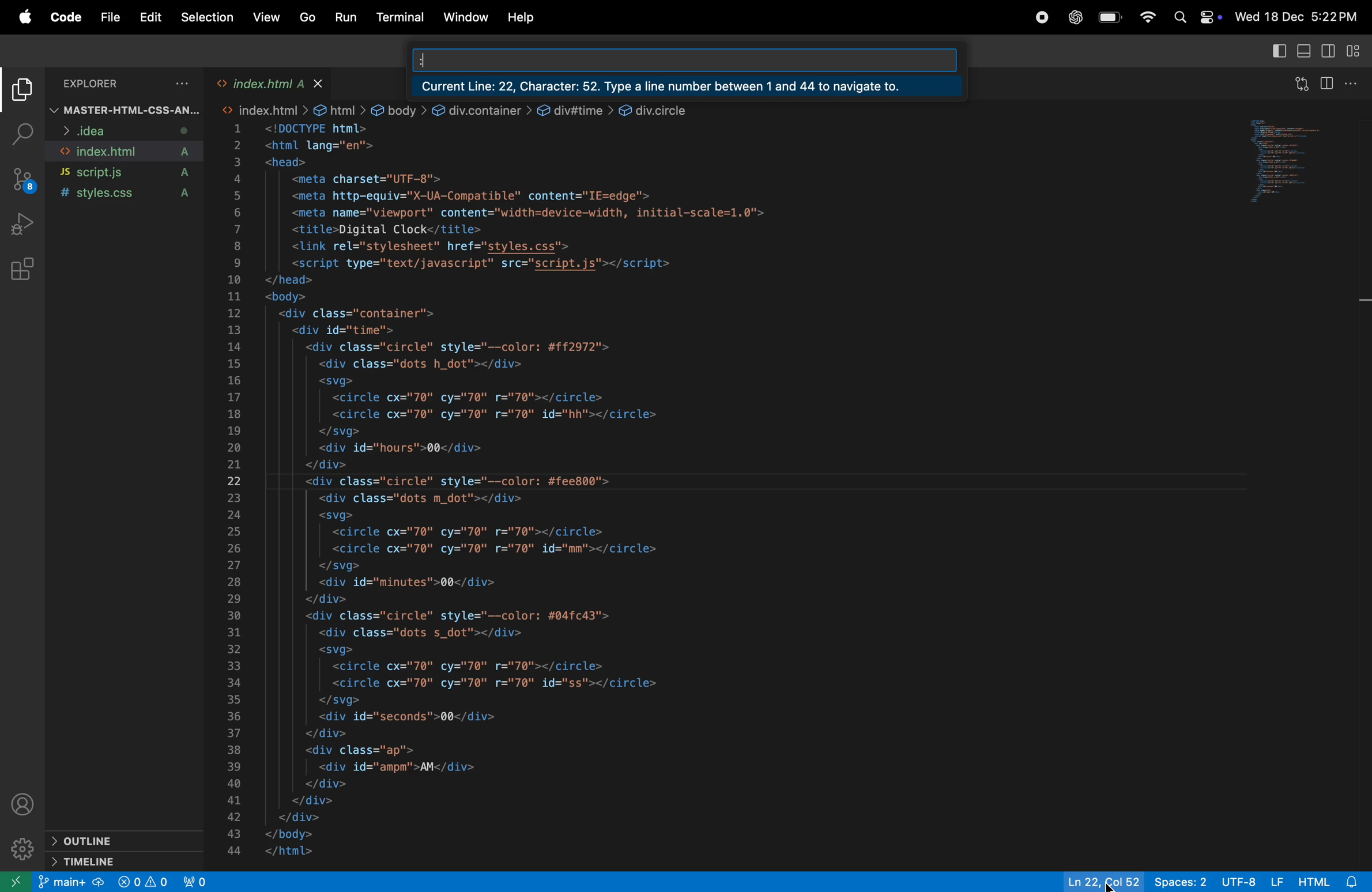  I want to click on toggle editor, so click(1325, 52).